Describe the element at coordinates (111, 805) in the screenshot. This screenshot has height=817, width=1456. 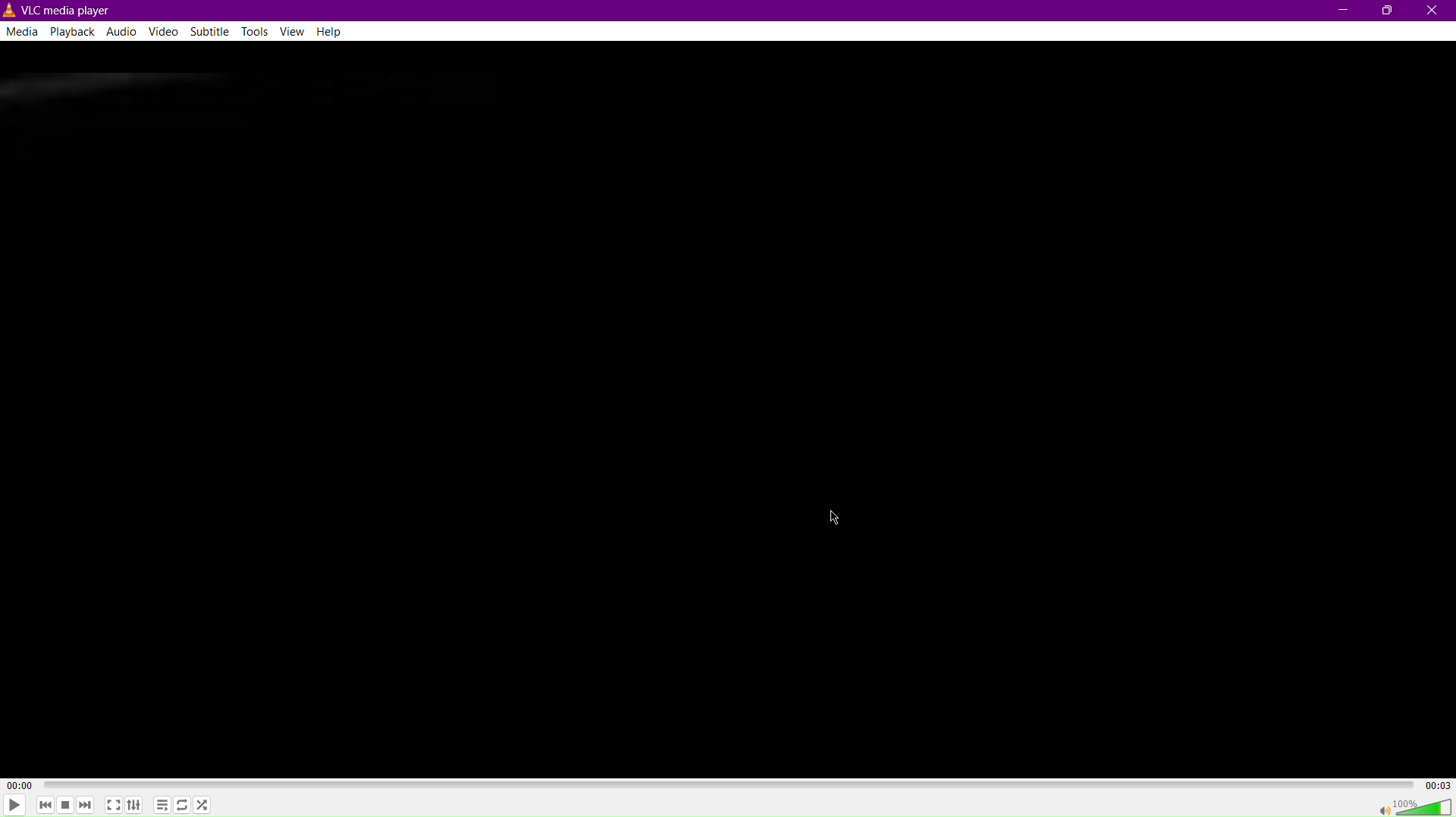
I see `Fullscreen` at that location.